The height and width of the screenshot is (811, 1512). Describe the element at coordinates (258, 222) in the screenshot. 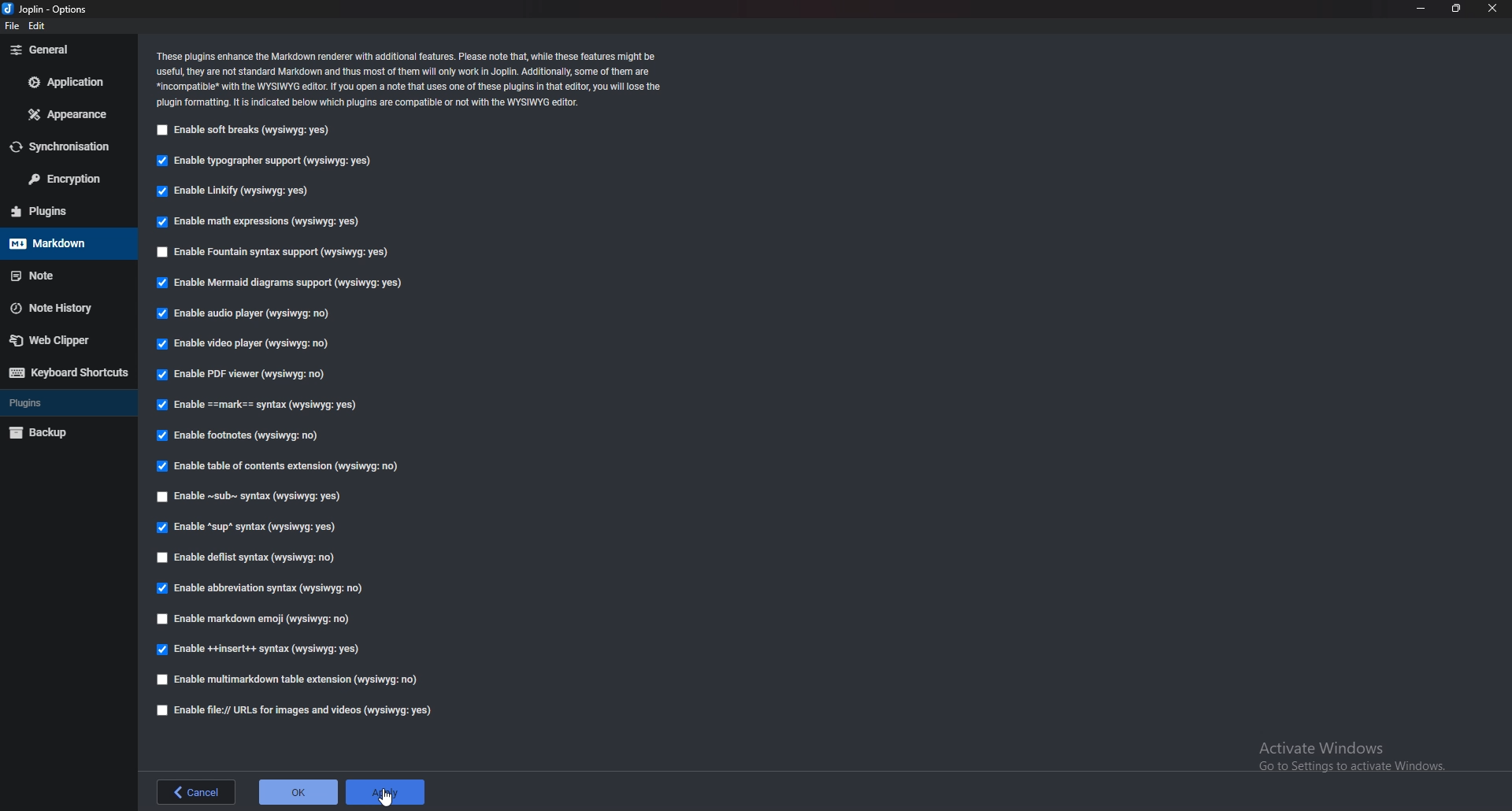

I see `` at that location.